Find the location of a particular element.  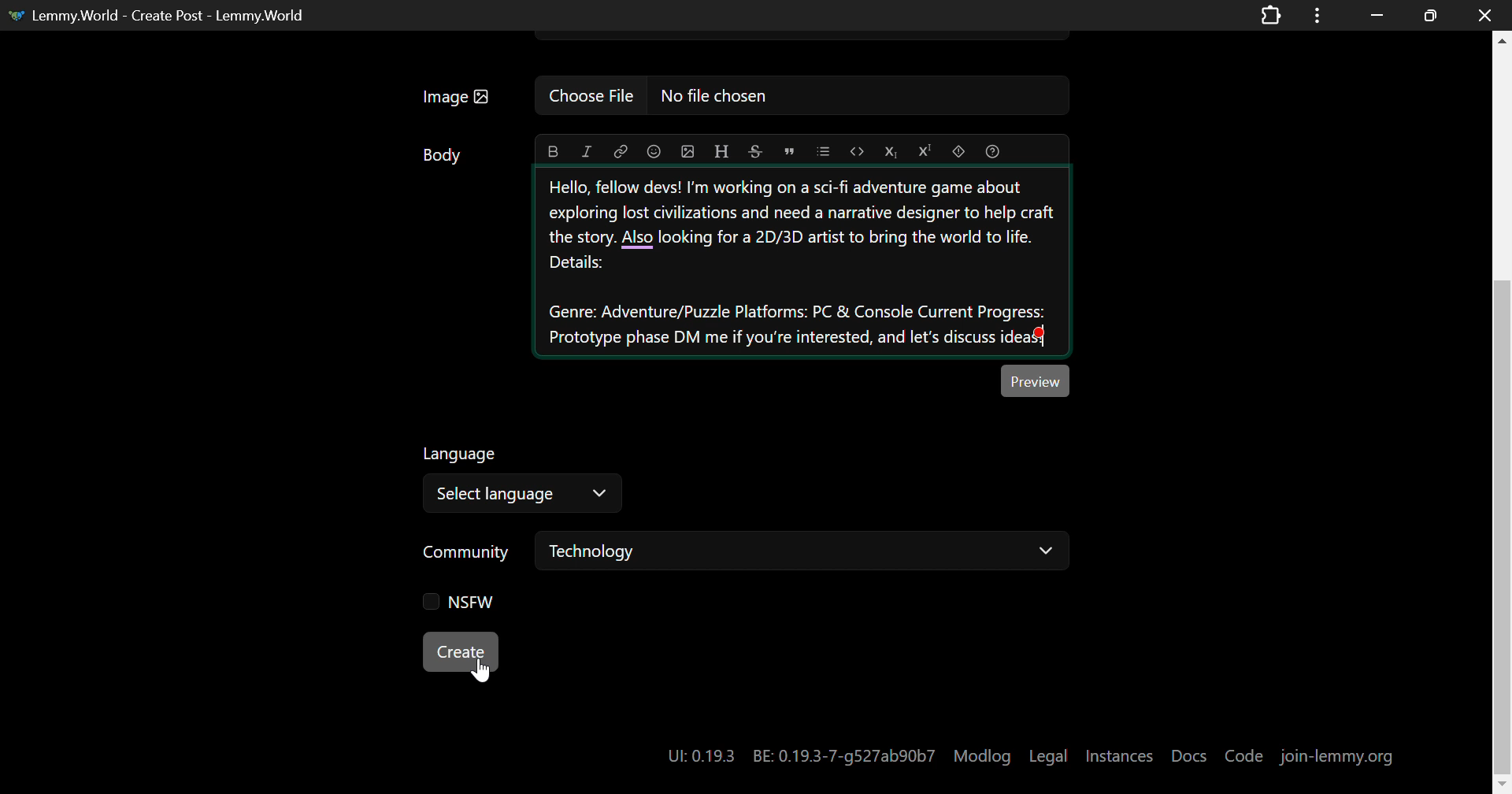

Minimize Window is located at coordinates (1427, 15).